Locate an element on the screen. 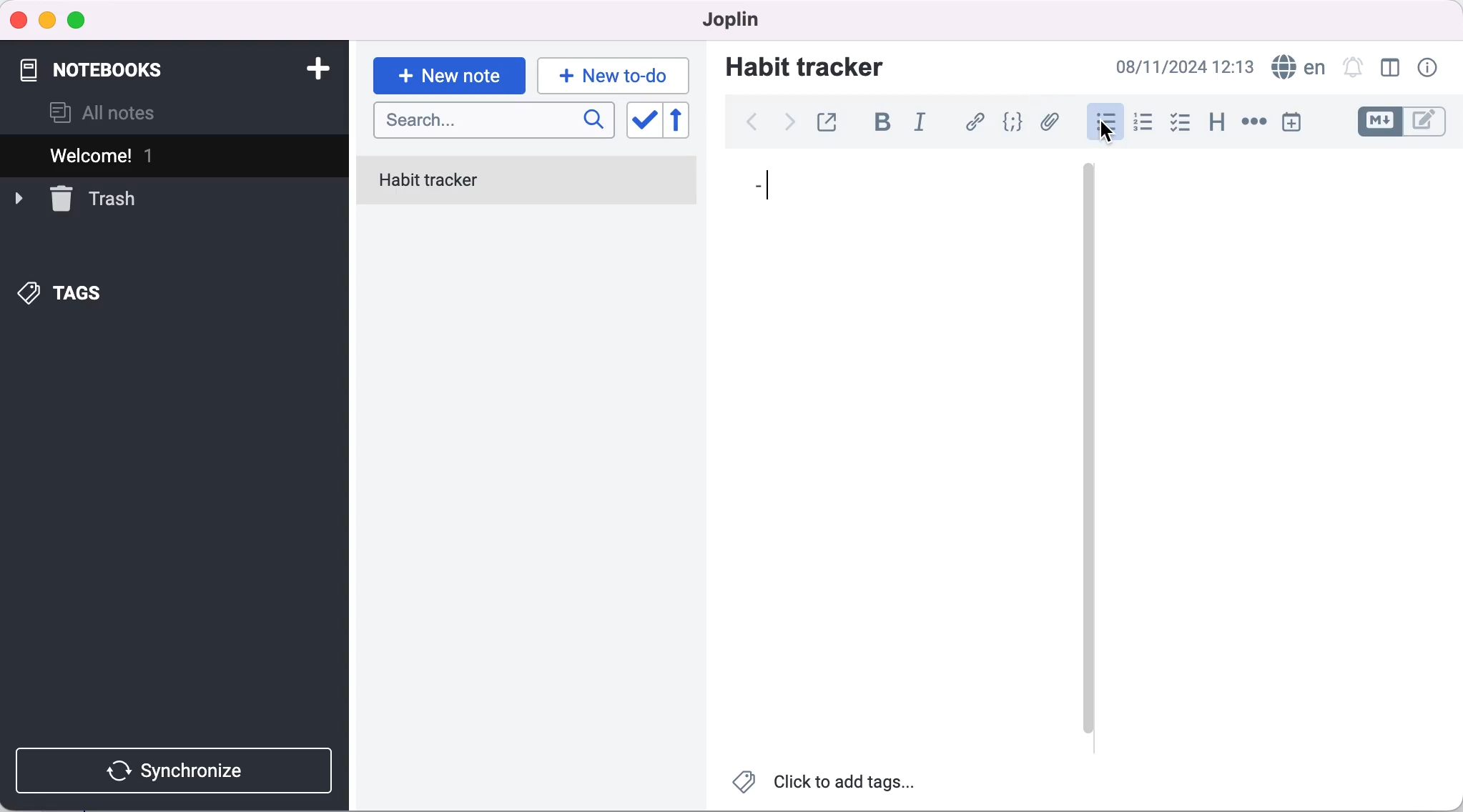 Image resolution: width=1463 pixels, height=812 pixels. heading is located at coordinates (1218, 123).